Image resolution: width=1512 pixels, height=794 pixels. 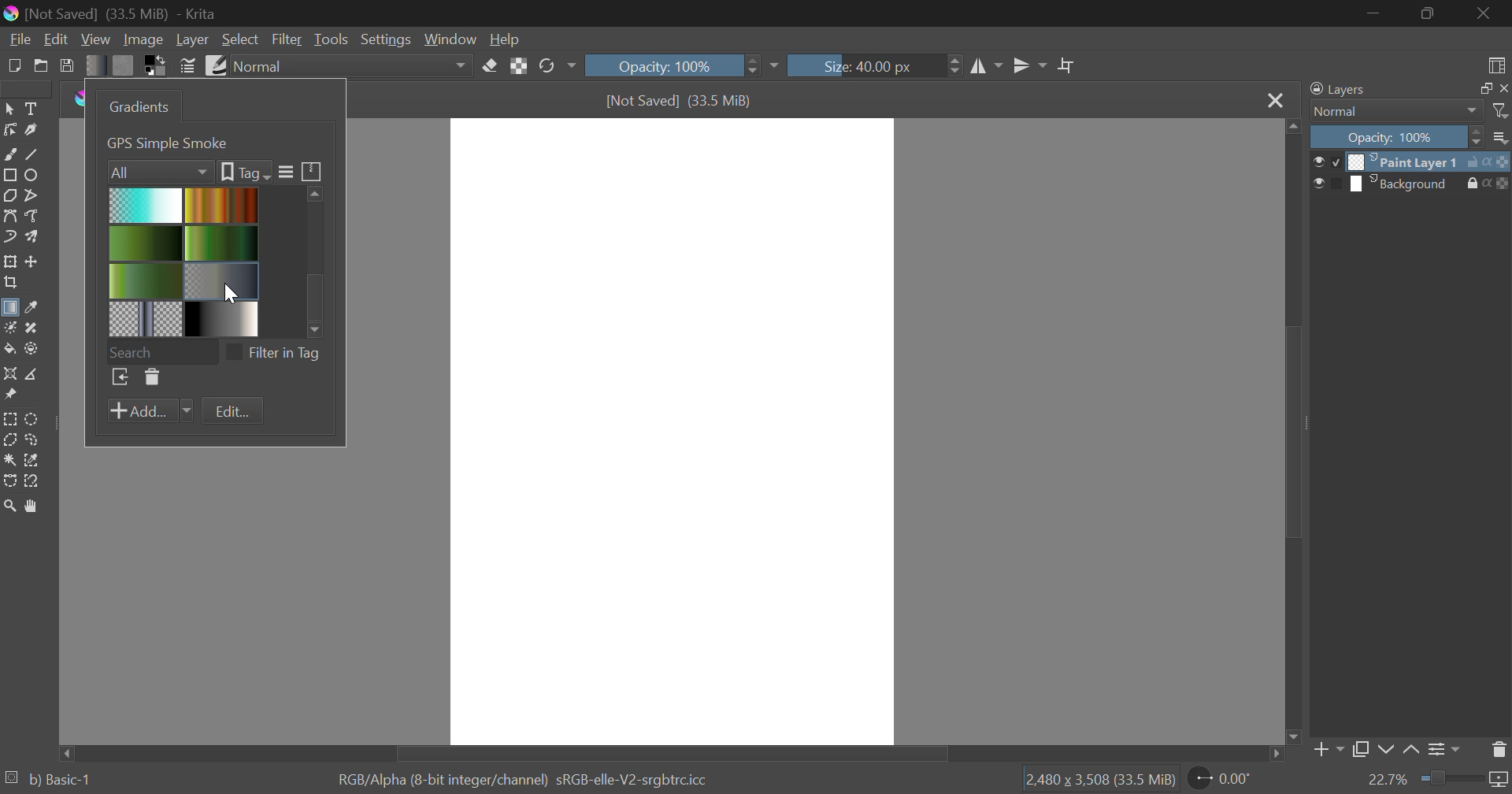 I want to click on Gradient 6, so click(x=223, y=279).